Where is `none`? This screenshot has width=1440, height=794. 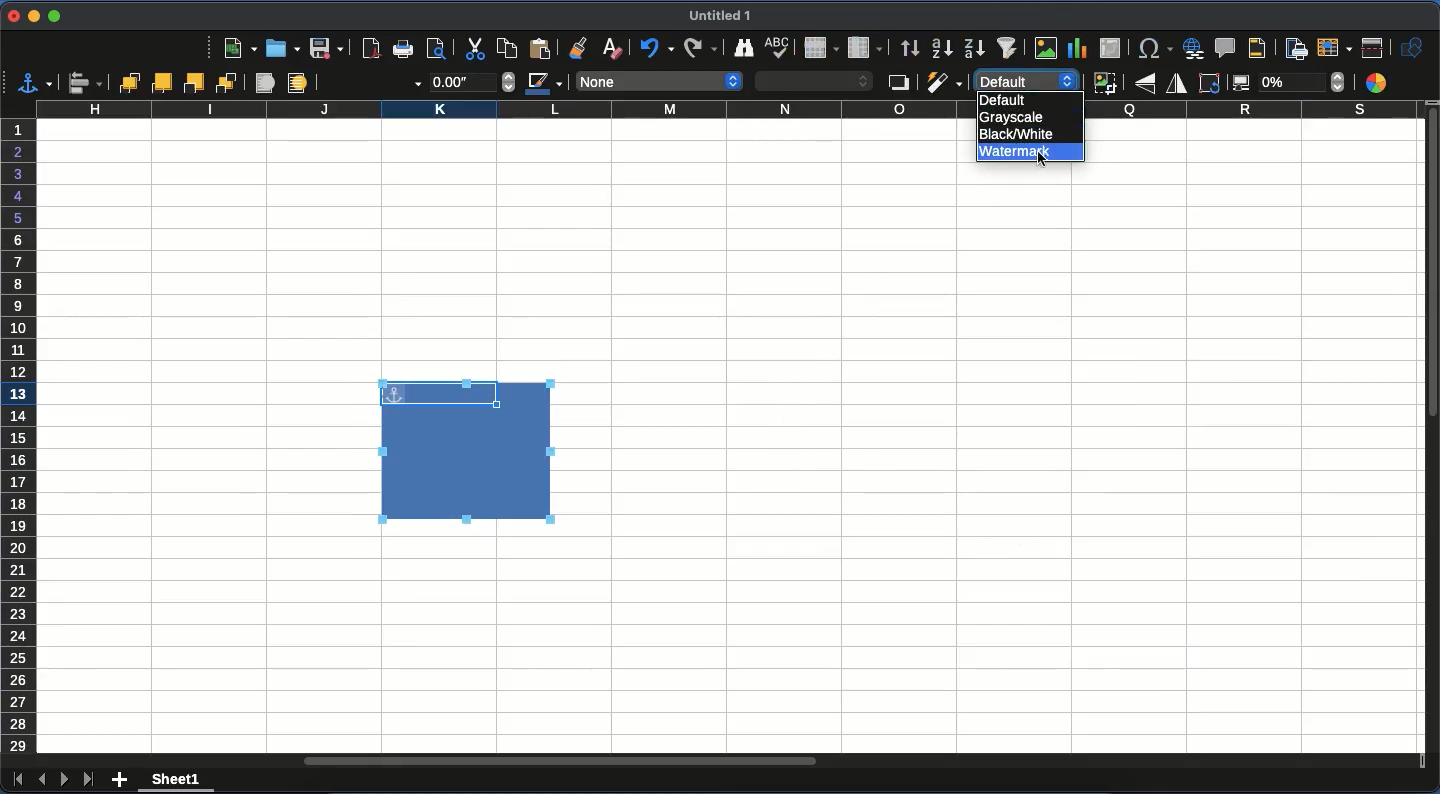
none is located at coordinates (659, 81).